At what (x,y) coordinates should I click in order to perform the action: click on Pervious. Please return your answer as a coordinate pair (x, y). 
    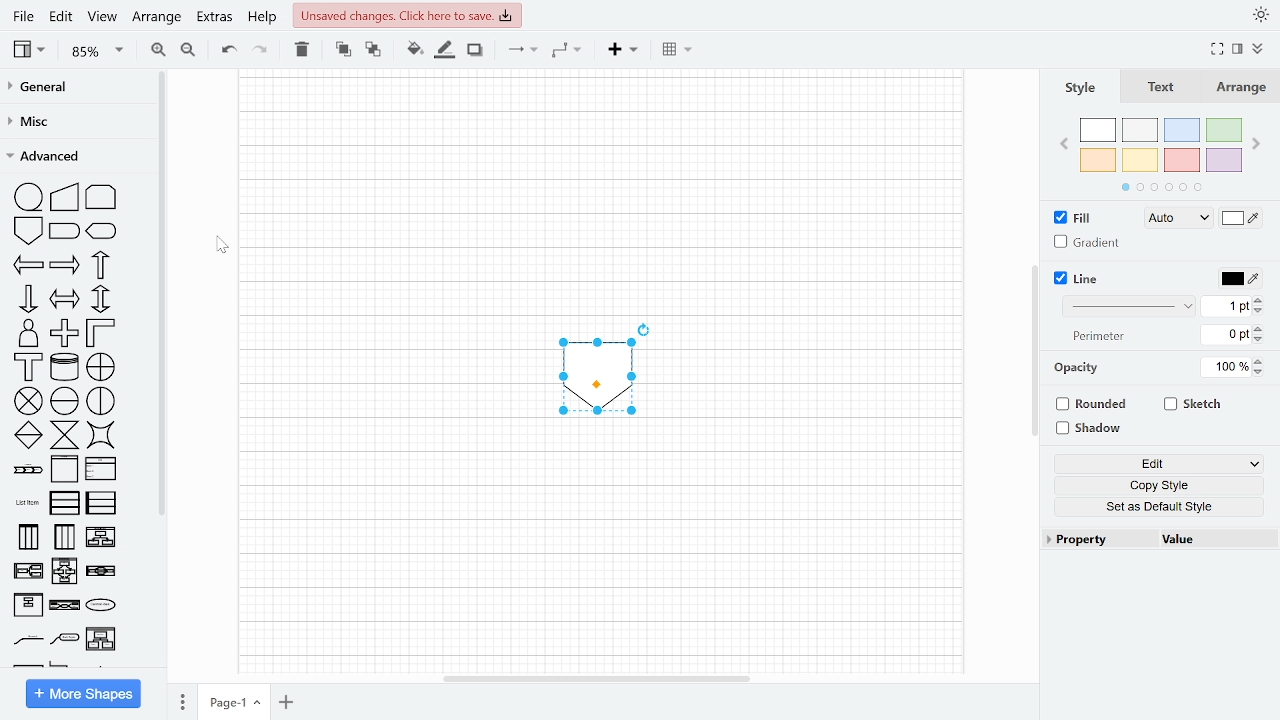
    Looking at the image, I should click on (1066, 145).